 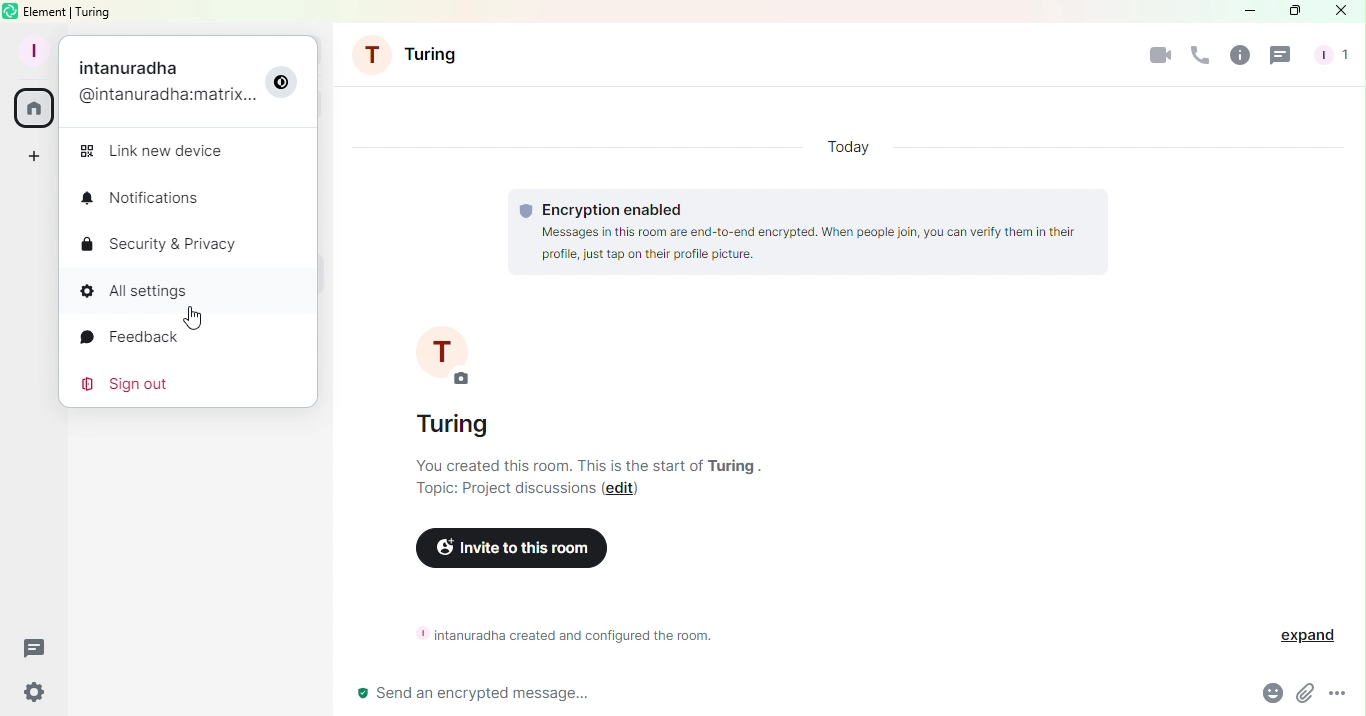 I want to click on Room information, so click(x=577, y=634).